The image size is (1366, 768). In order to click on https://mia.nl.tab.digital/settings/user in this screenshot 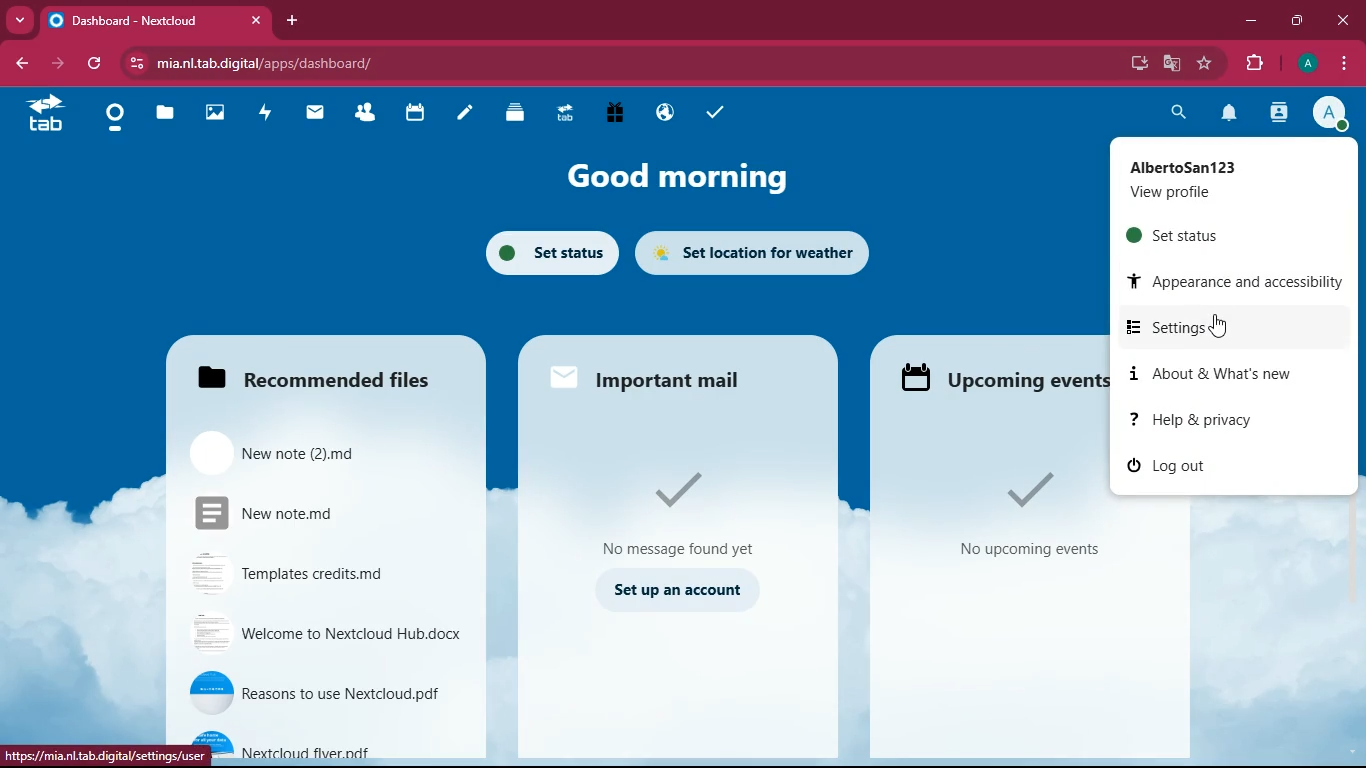, I will do `click(106, 754)`.